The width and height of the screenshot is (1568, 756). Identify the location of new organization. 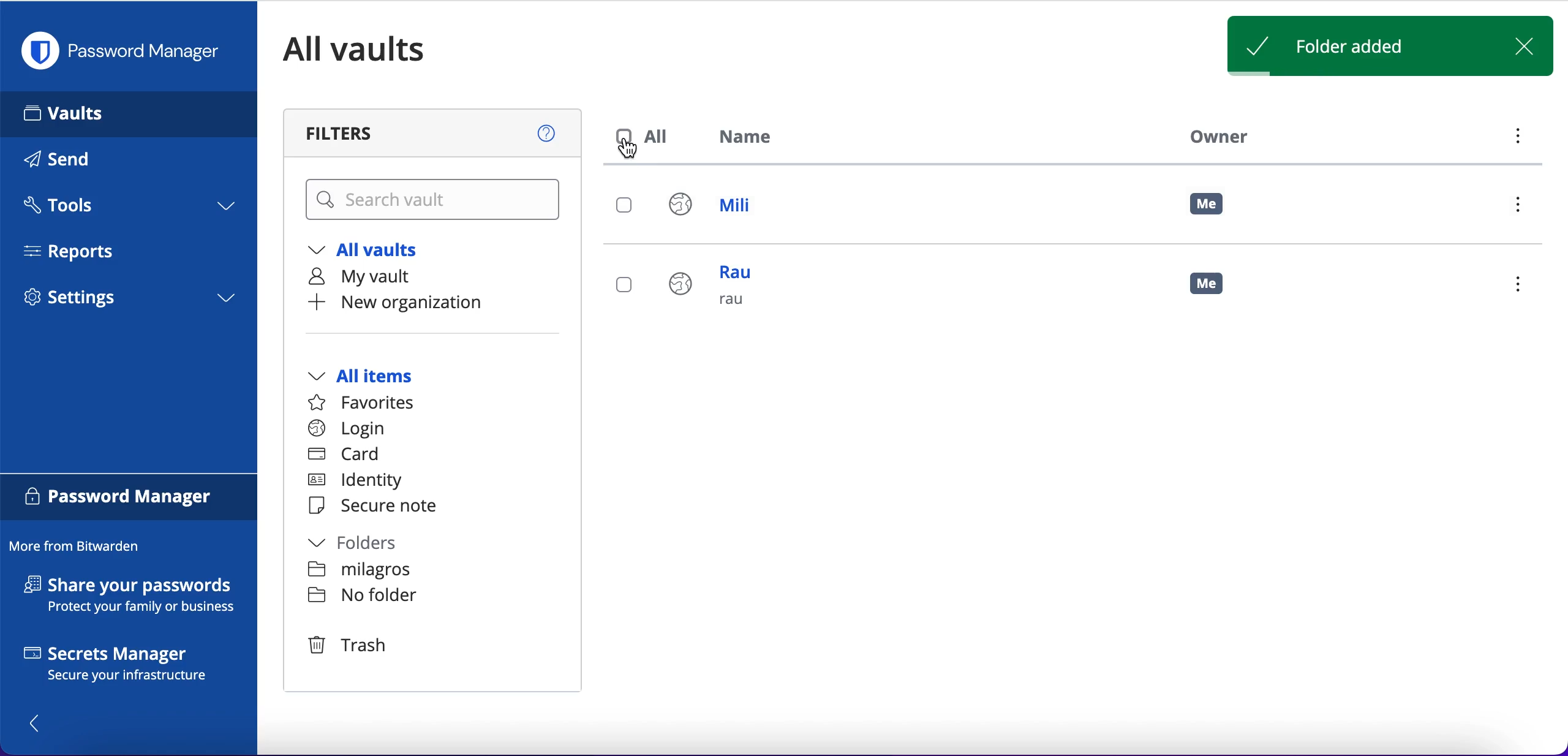
(420, 303).